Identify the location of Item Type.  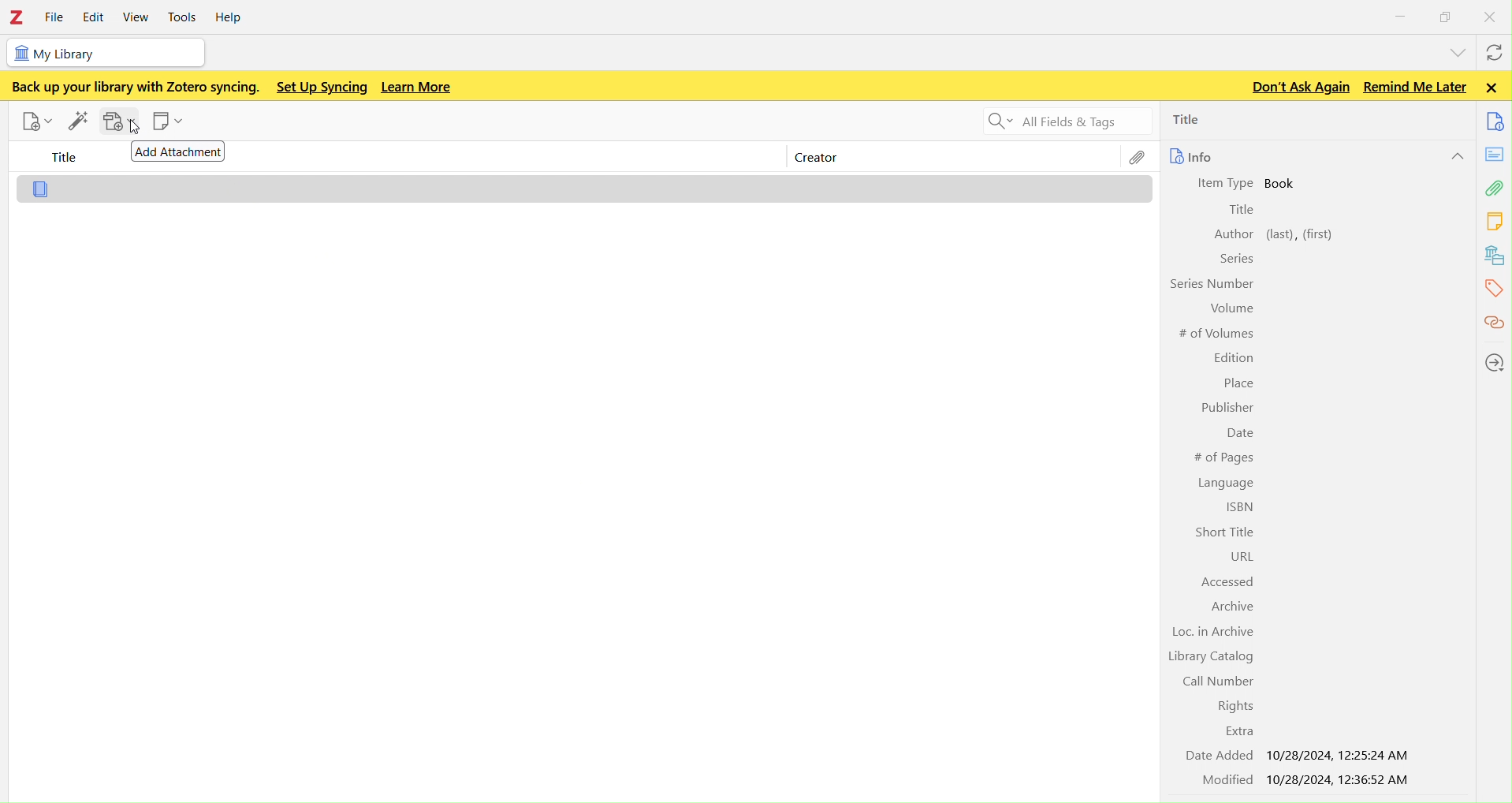
(1227, 183).